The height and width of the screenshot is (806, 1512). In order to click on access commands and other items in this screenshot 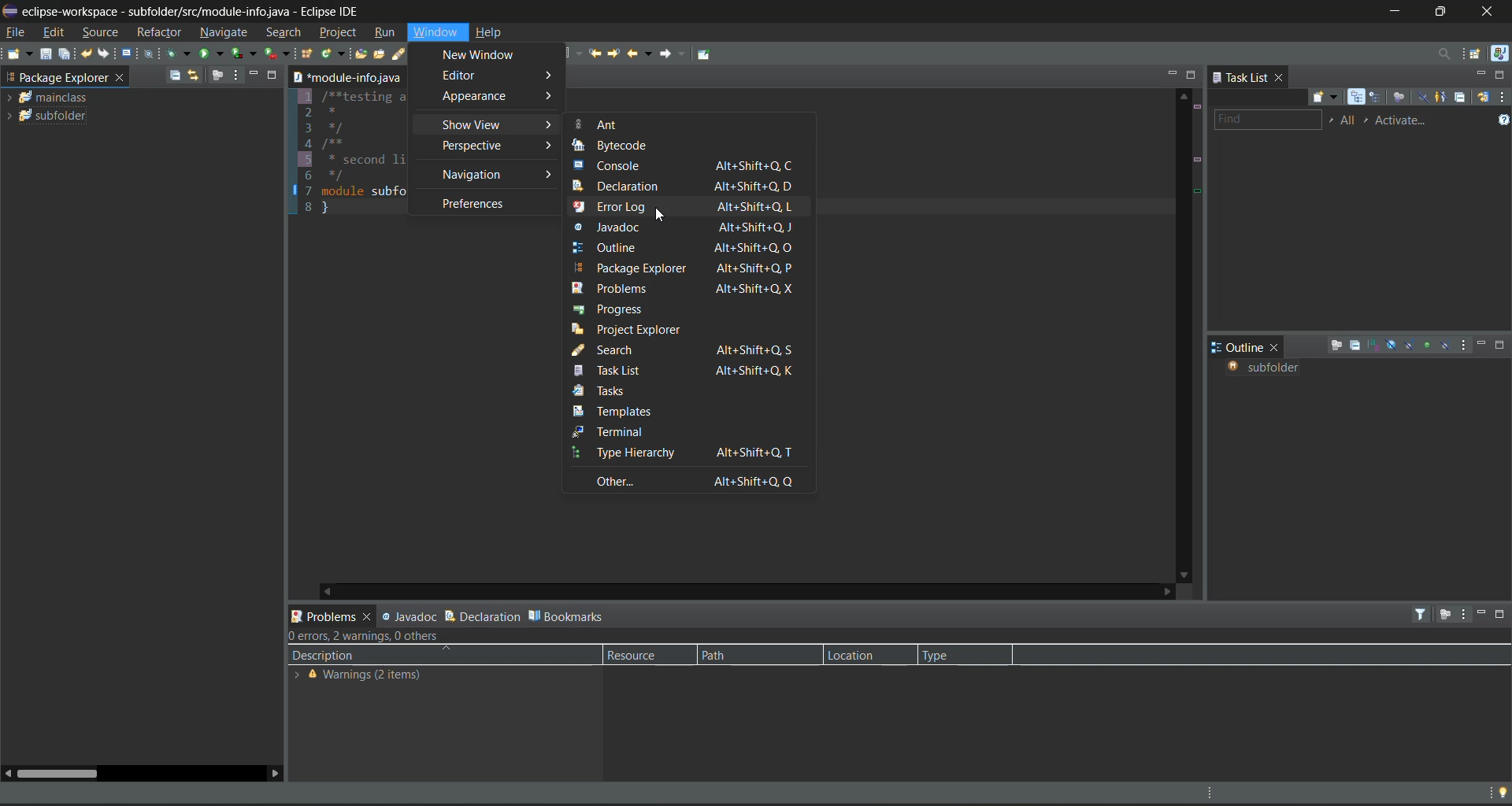, I will do `click(1444, 54)`.